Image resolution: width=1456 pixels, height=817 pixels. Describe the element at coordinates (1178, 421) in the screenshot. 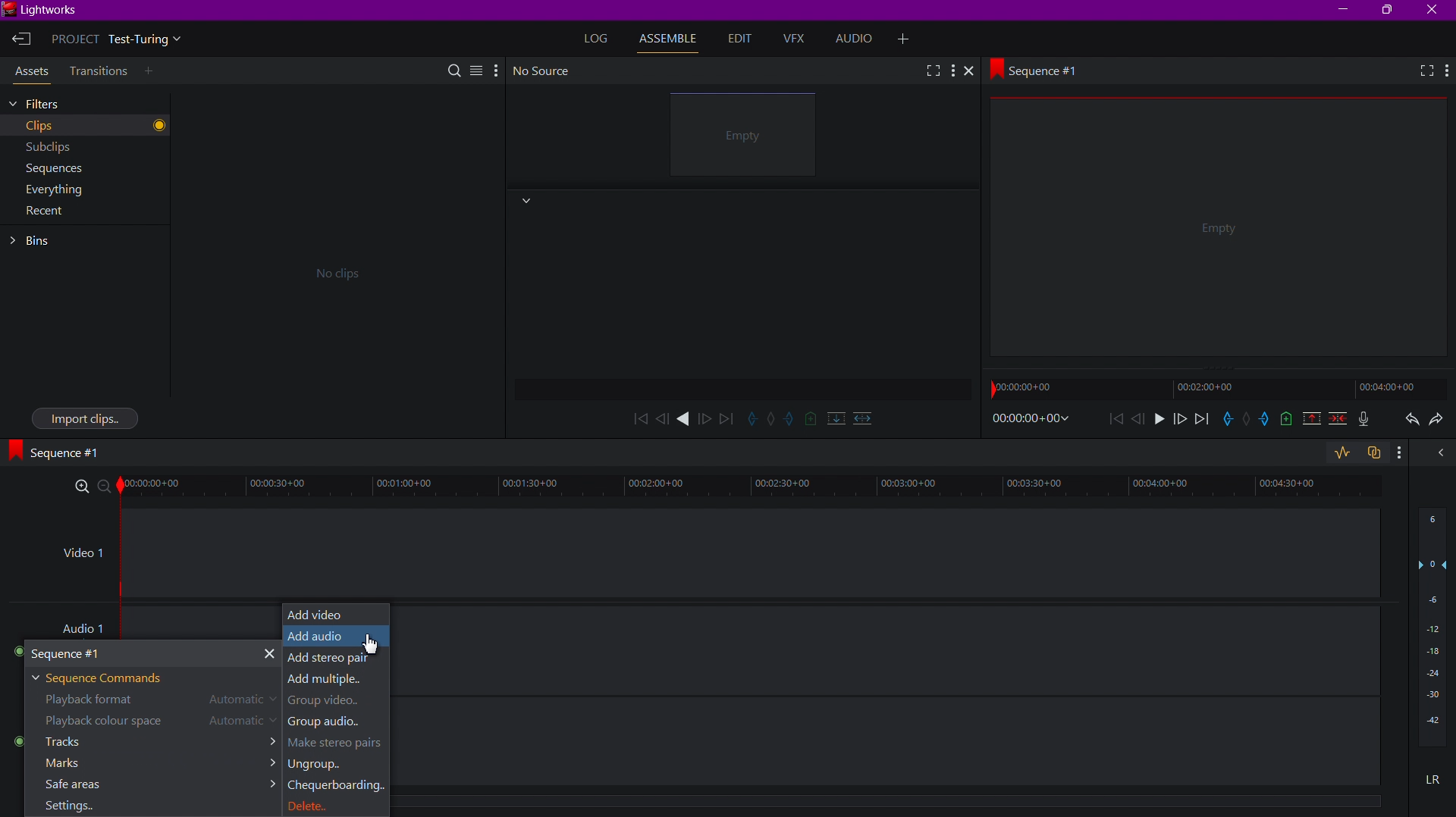

I see `front` at that location.